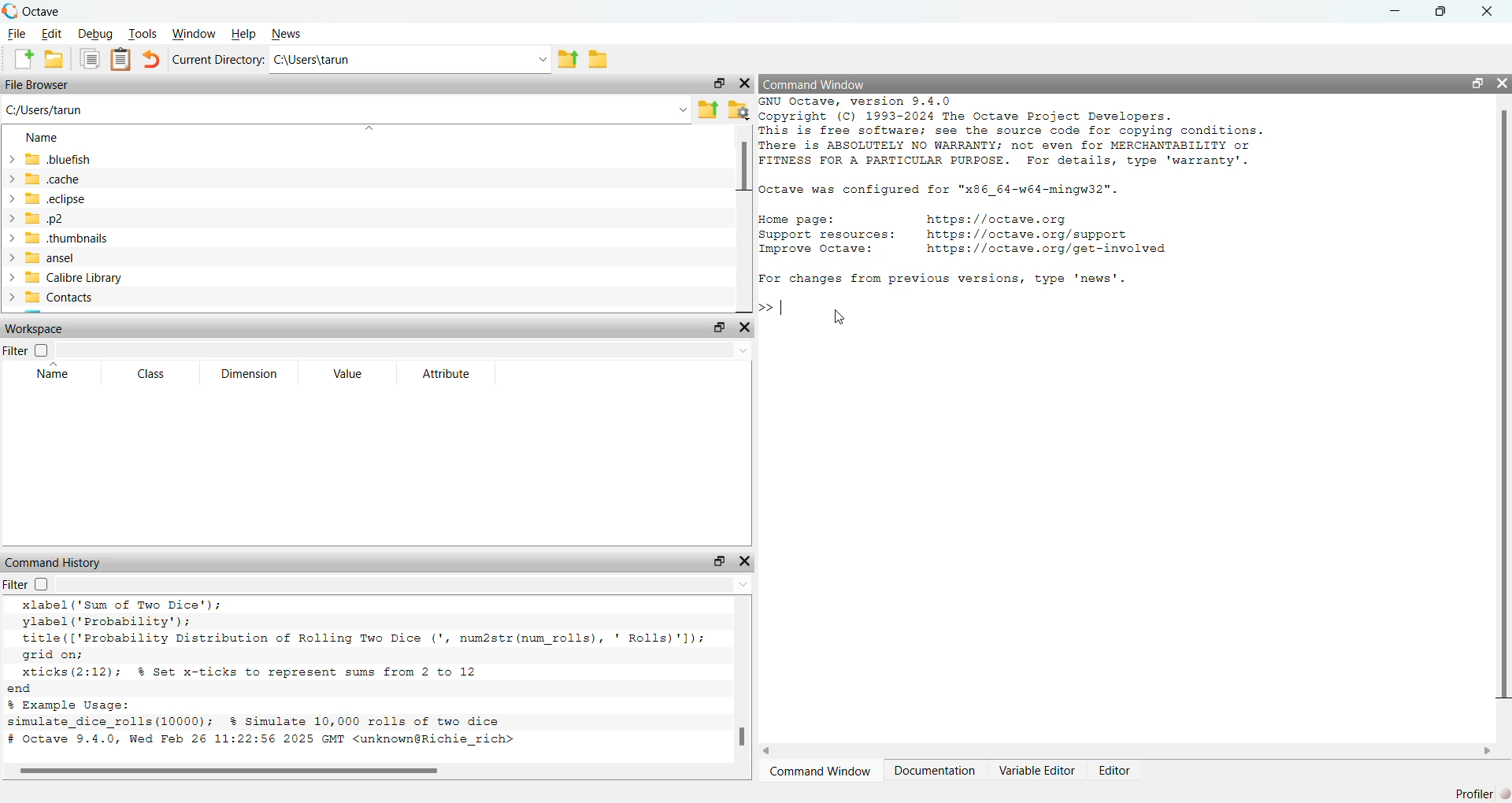 This screenshot has height=803, width=1512. What do you see at coordinates (1487, 13) in the screenshot?
I see `Close` at bounding box center [1487, 13].